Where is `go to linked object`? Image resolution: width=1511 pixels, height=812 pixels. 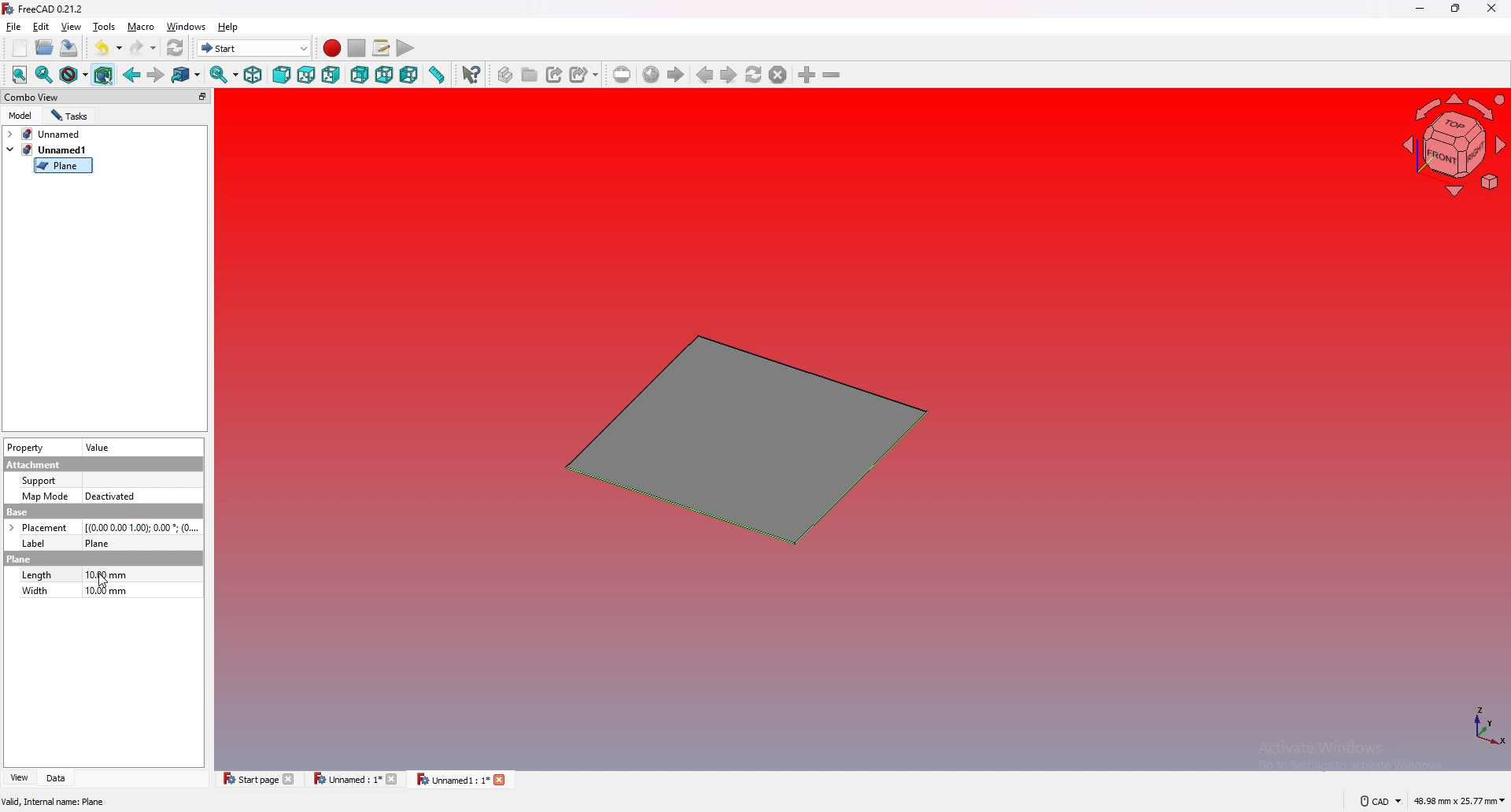
go to linked object is located at coordinates (187, 76).